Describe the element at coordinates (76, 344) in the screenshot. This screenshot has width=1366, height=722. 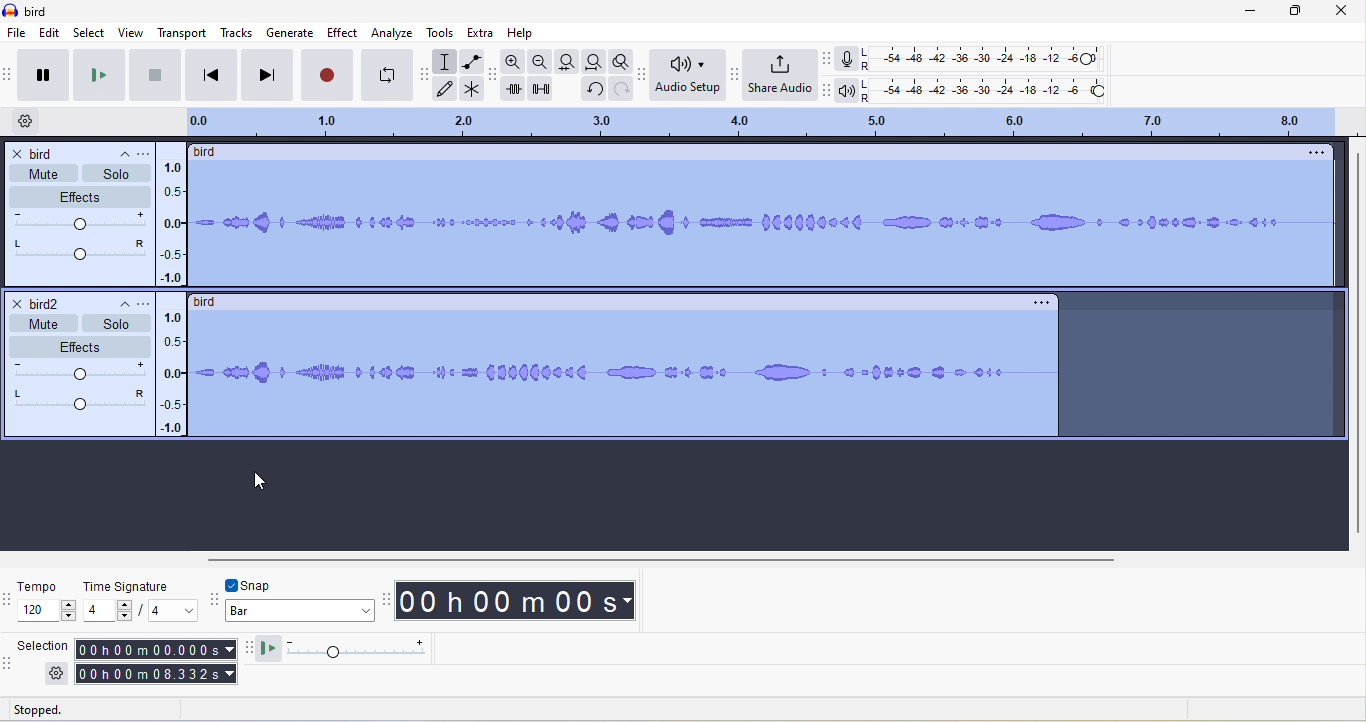
I see `effects` at that location.